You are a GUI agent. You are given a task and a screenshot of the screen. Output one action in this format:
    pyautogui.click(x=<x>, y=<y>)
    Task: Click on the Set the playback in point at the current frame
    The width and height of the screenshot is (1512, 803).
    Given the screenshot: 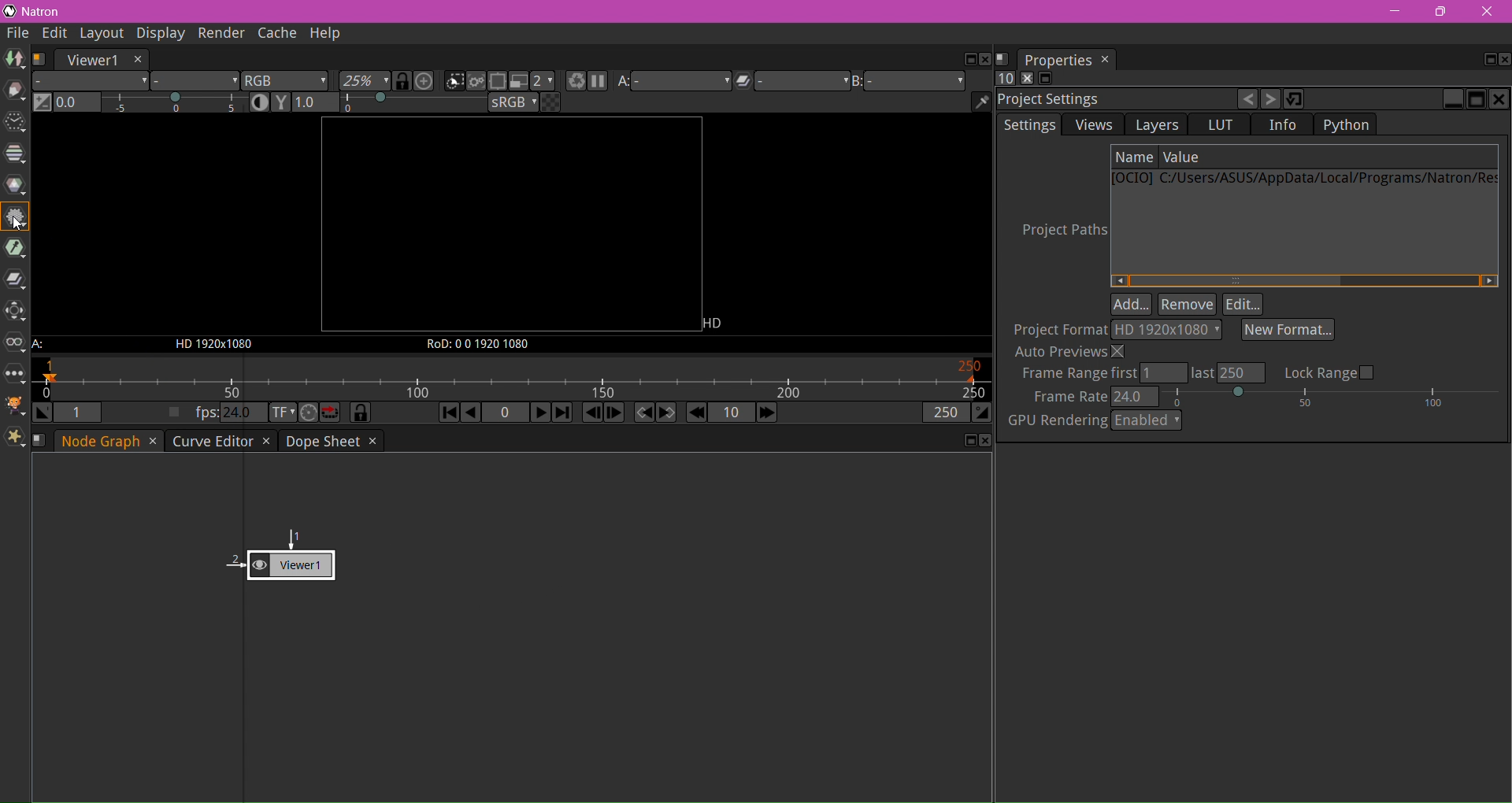 What is the action you would take?
    pyautogui.click(x=43, y=413)
    